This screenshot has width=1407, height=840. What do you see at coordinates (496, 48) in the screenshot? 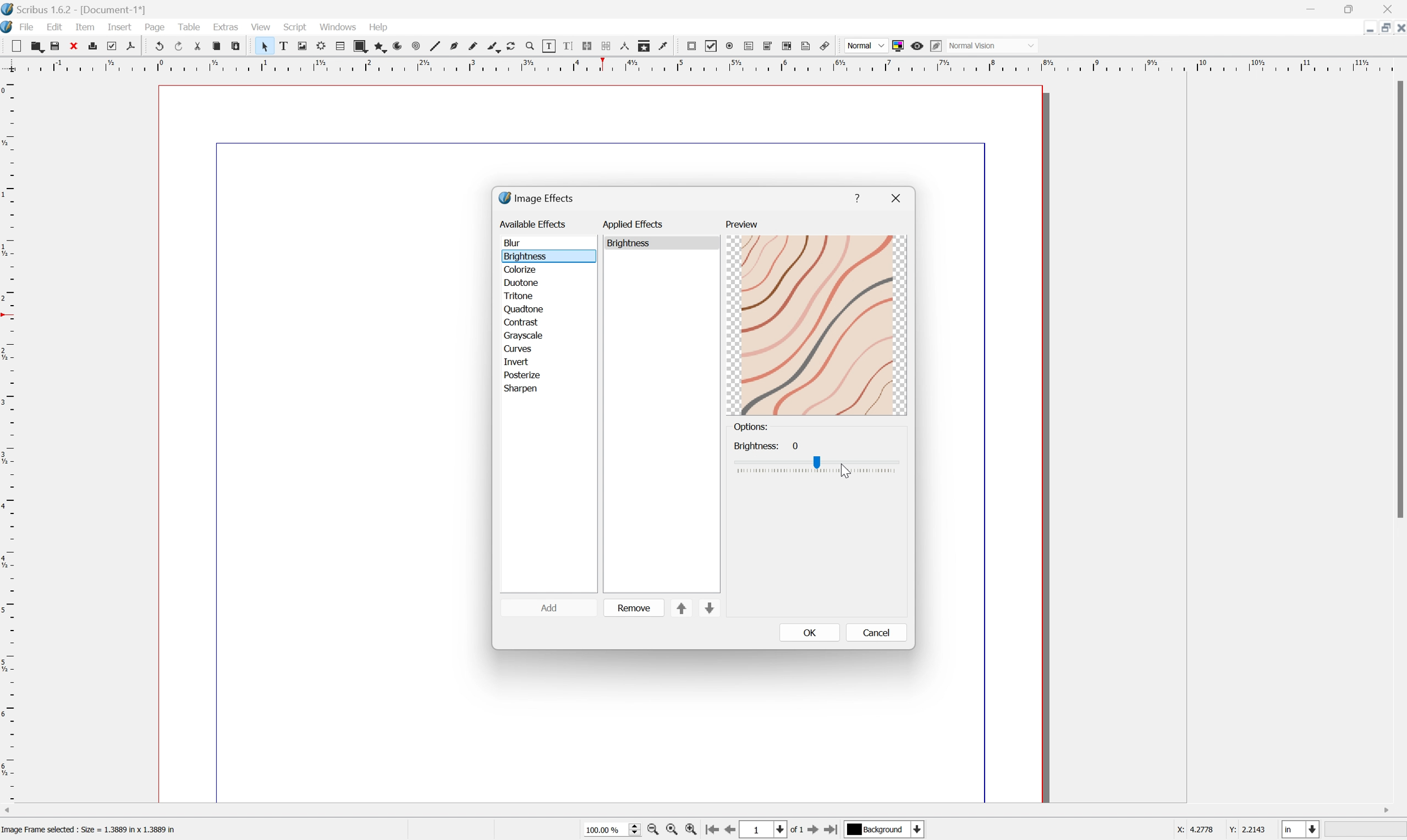
I see `Calligraphic line` at bounding box center [496, 48].